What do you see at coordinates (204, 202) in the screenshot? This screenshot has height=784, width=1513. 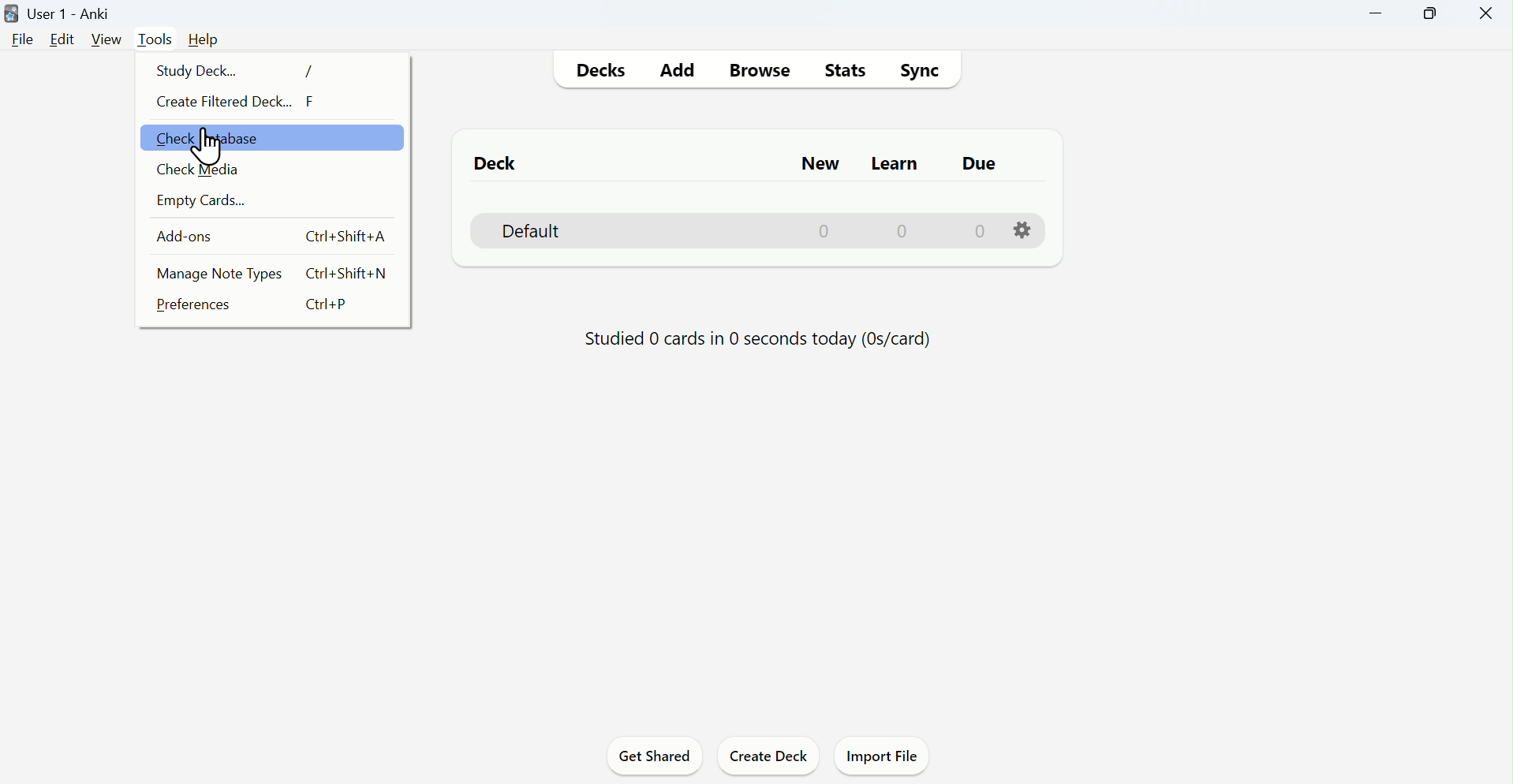 I see `Empty cards` at bounding box center [204, 202].